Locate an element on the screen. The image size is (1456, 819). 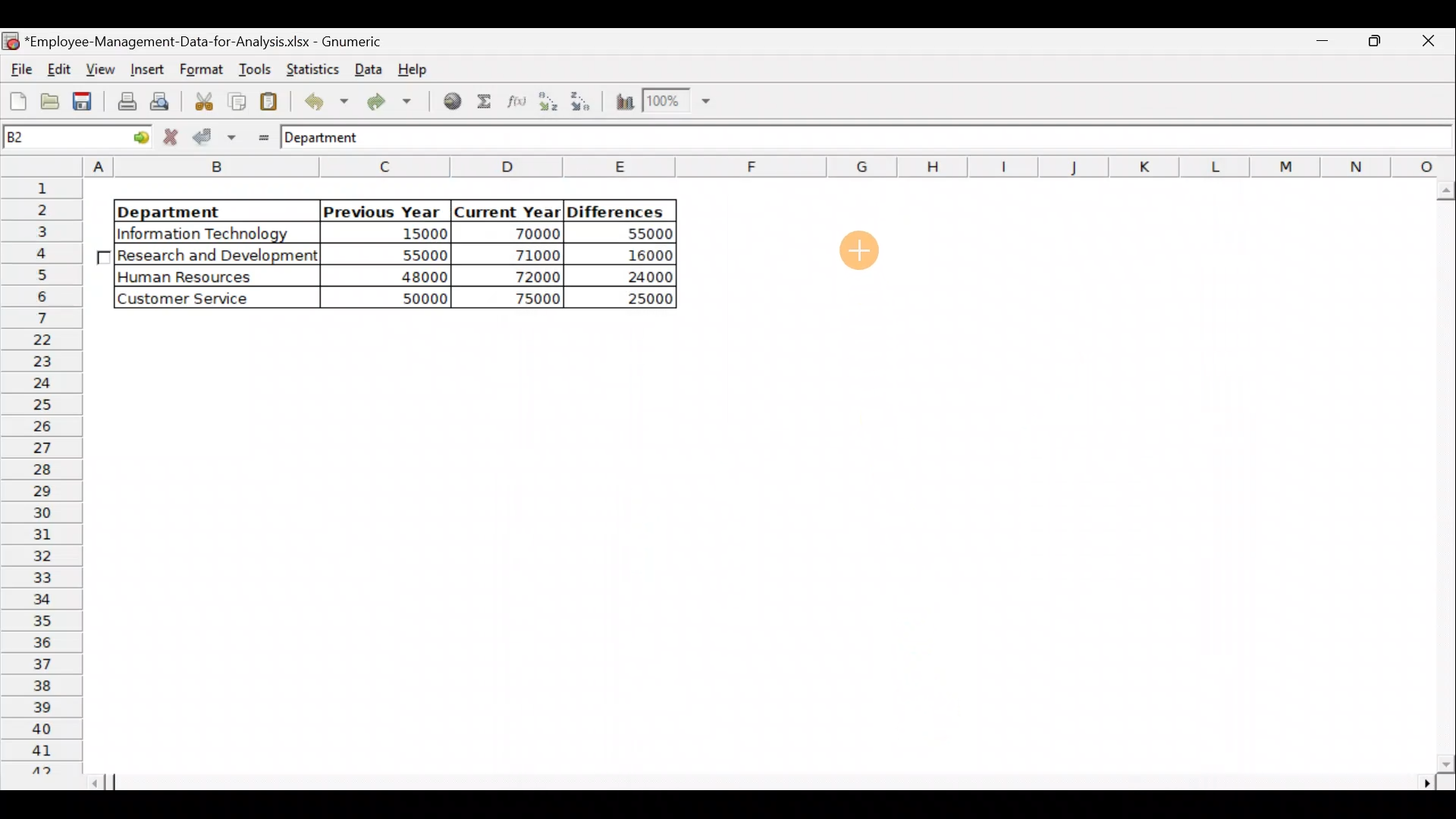
Customer Service is located at coordinates (201, 299).